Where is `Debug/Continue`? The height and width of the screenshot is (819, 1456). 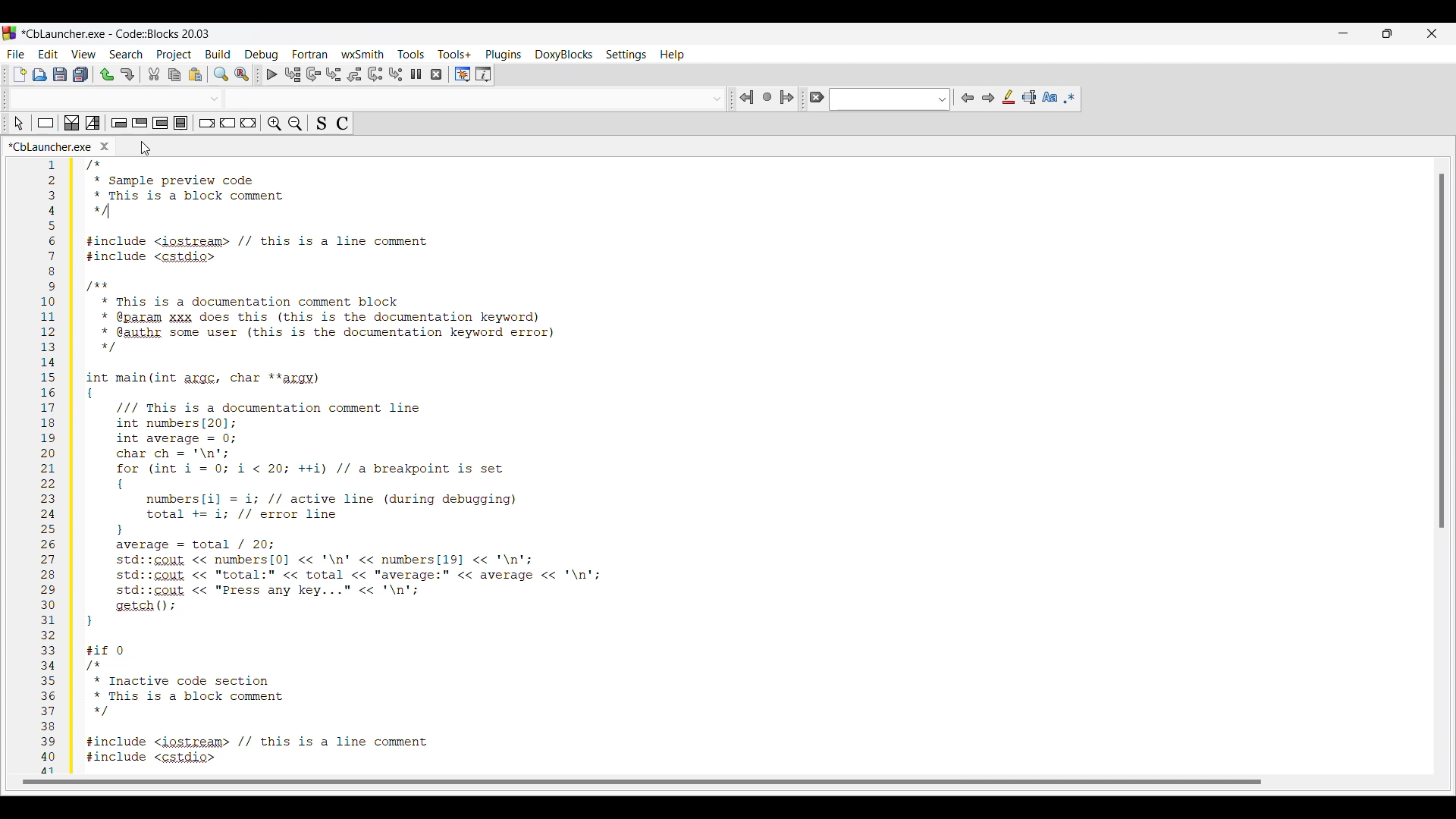 Debug/Continue is located at coordinates (272, 74).